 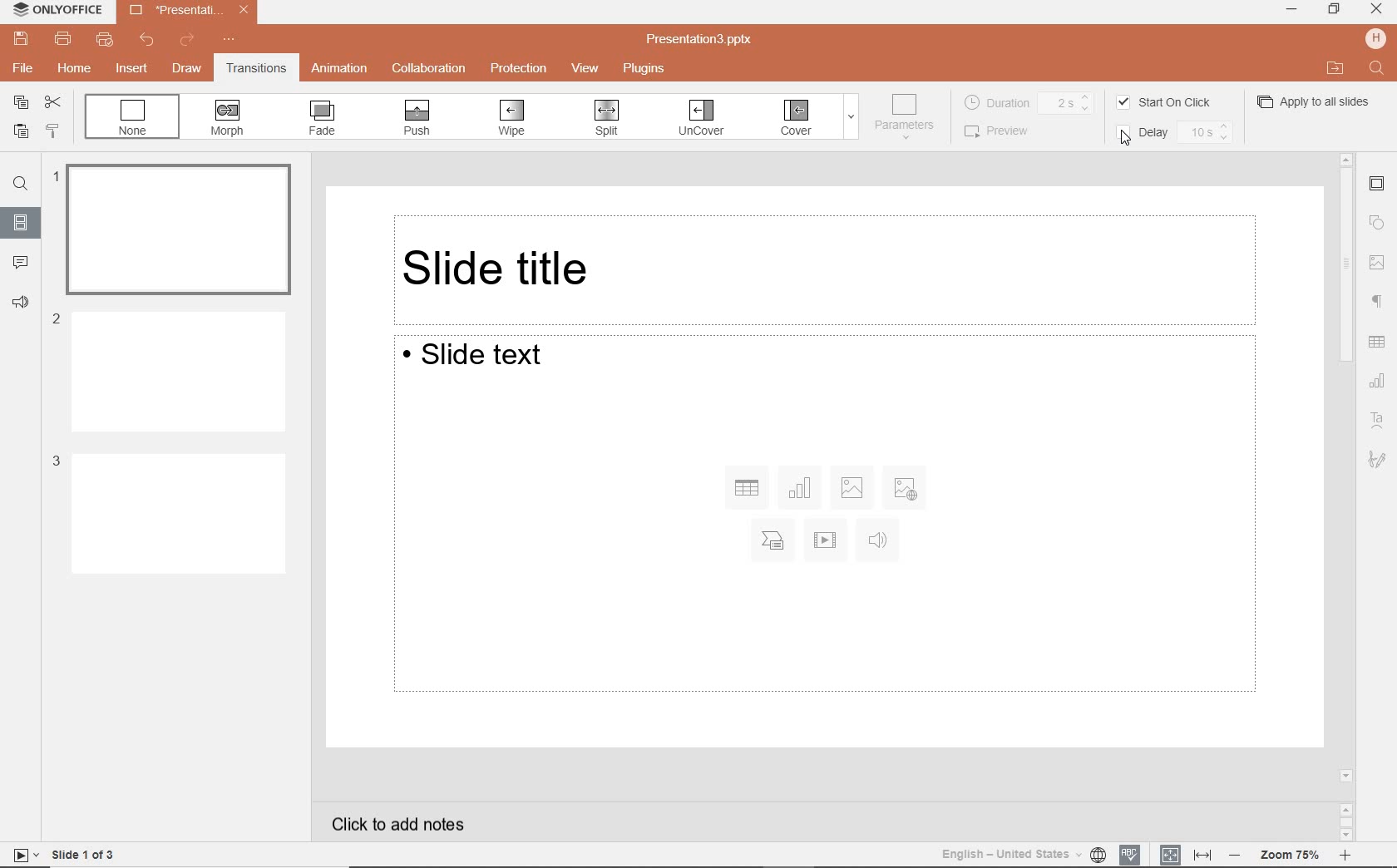 I want to click on transitions, so click(x=255, y=70).